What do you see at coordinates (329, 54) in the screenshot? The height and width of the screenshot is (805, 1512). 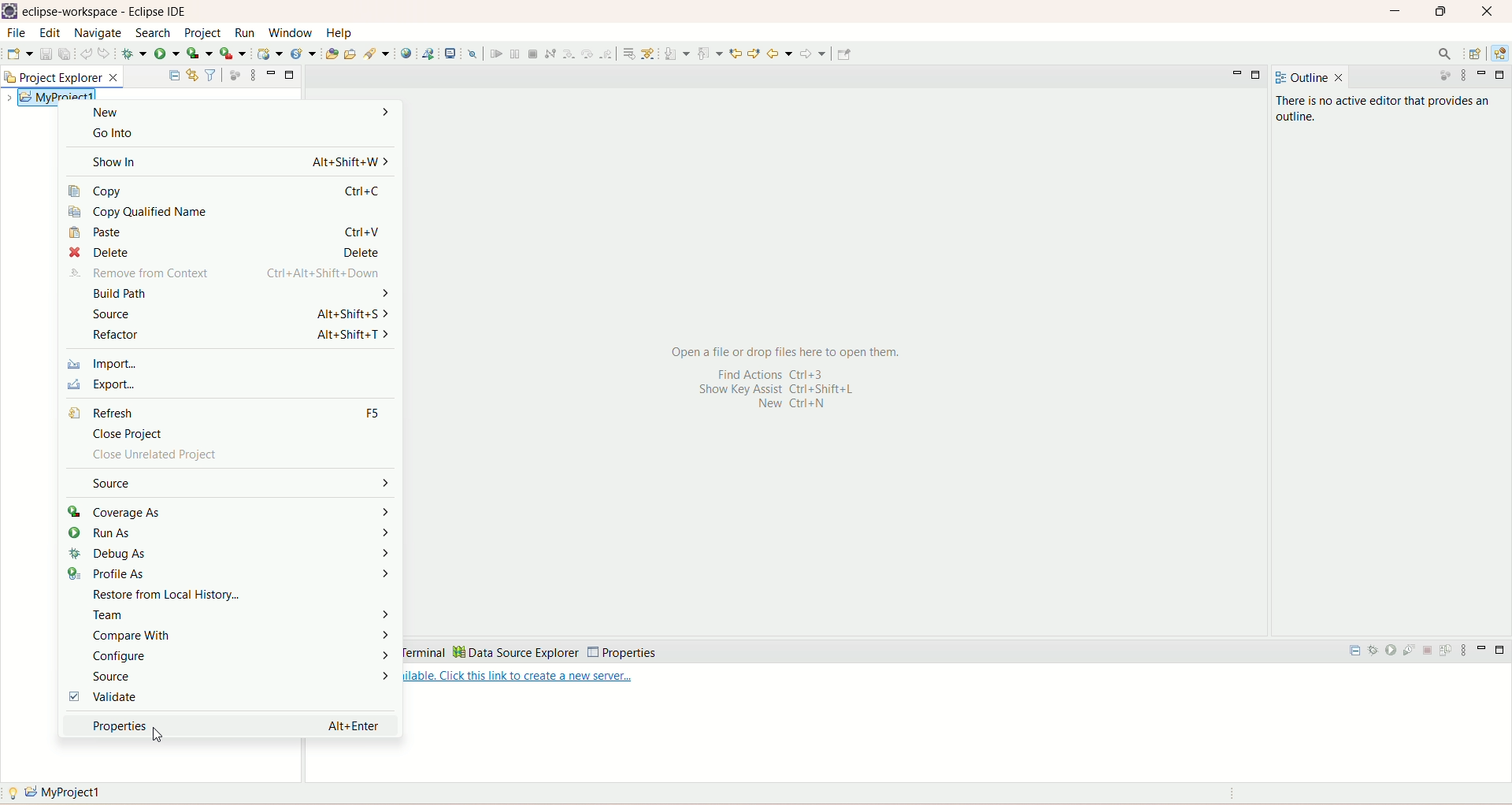 I see `open type` at bounding box center [329, 54].